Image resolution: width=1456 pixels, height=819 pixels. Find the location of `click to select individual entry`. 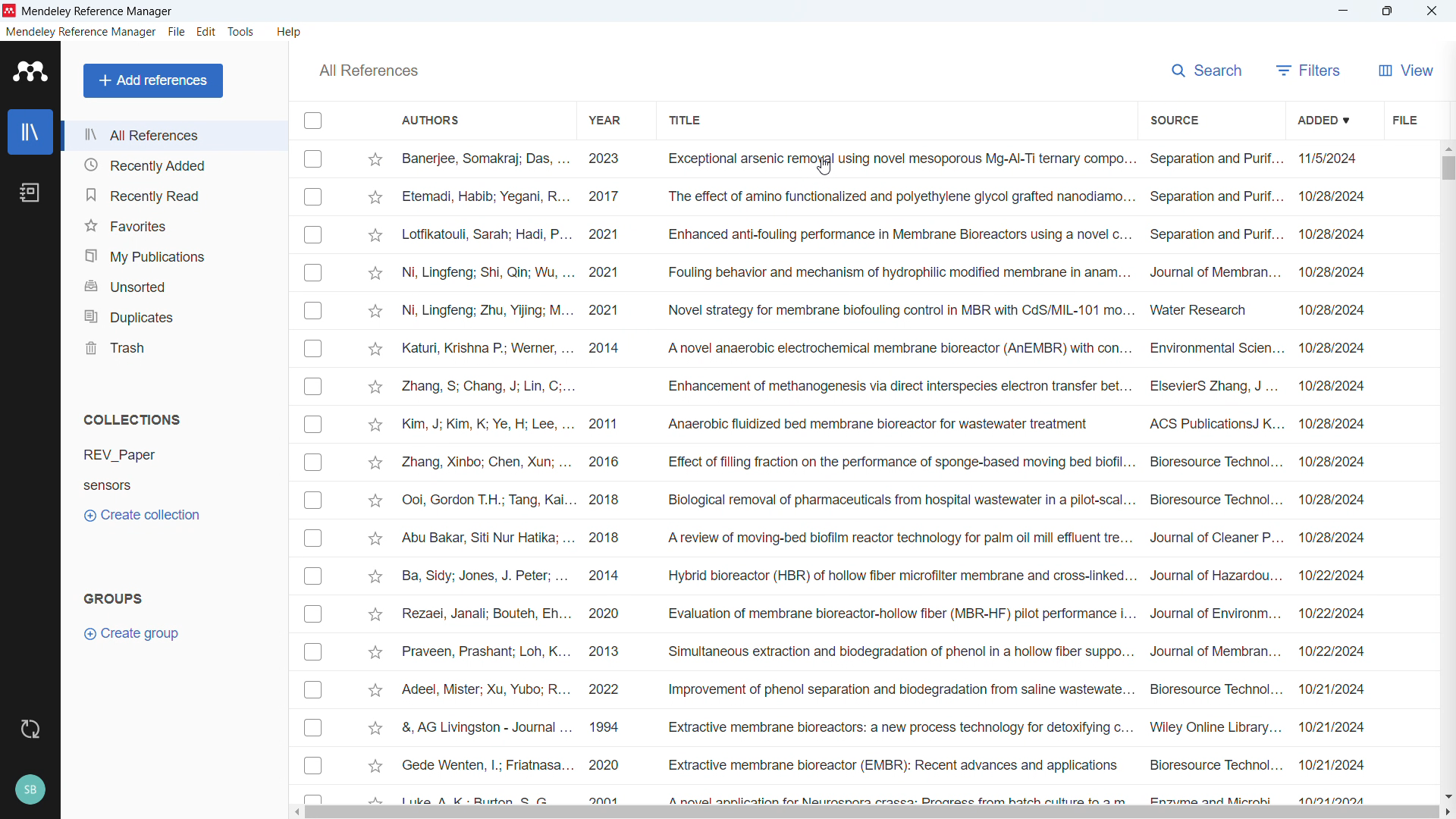

click to select individual entry is located at coordinates (315, 500).